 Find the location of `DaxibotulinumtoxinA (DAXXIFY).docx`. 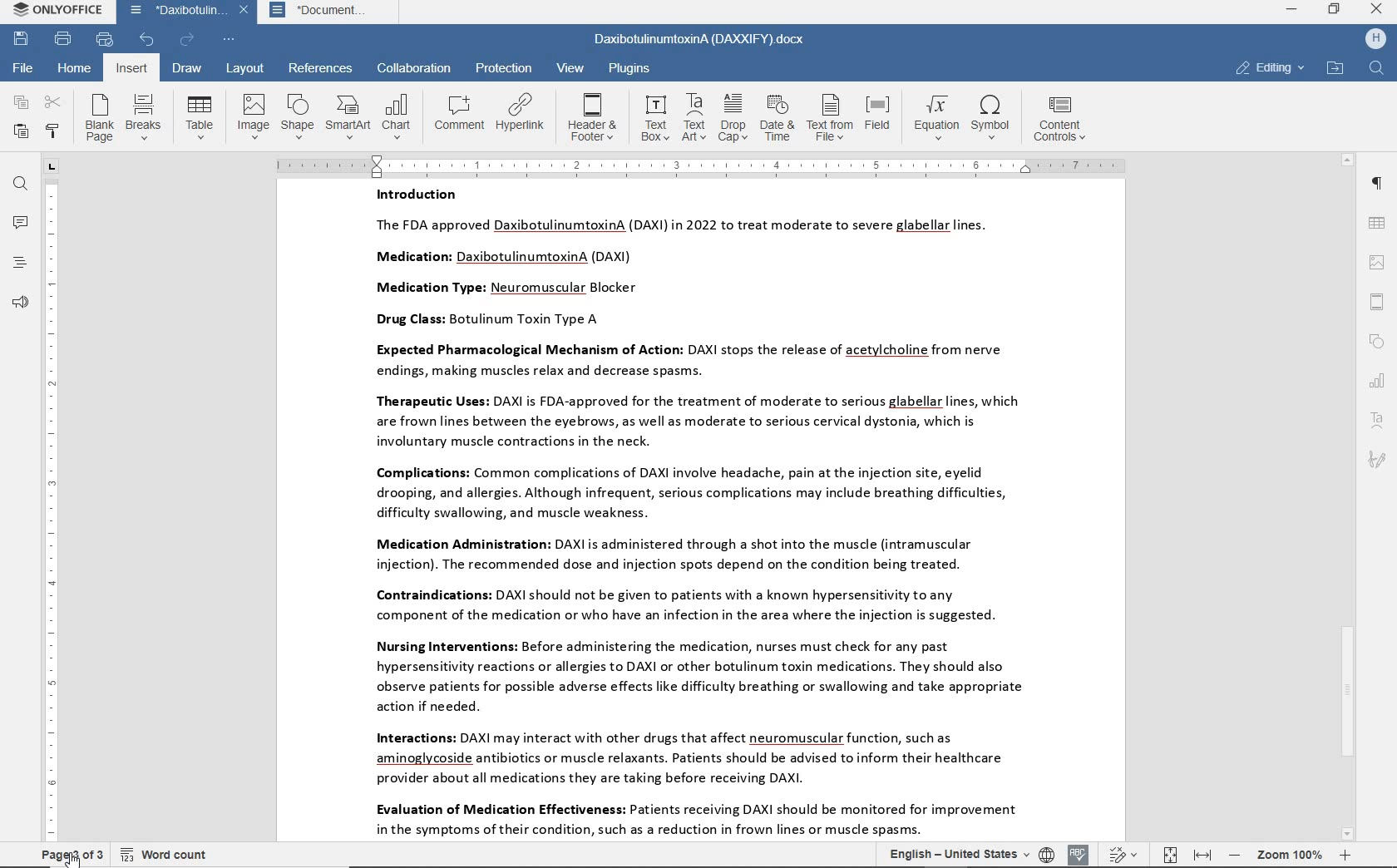

DaxibotulinumtoxinA (DAXXIFY).docx is located at coordinates (700, 41).